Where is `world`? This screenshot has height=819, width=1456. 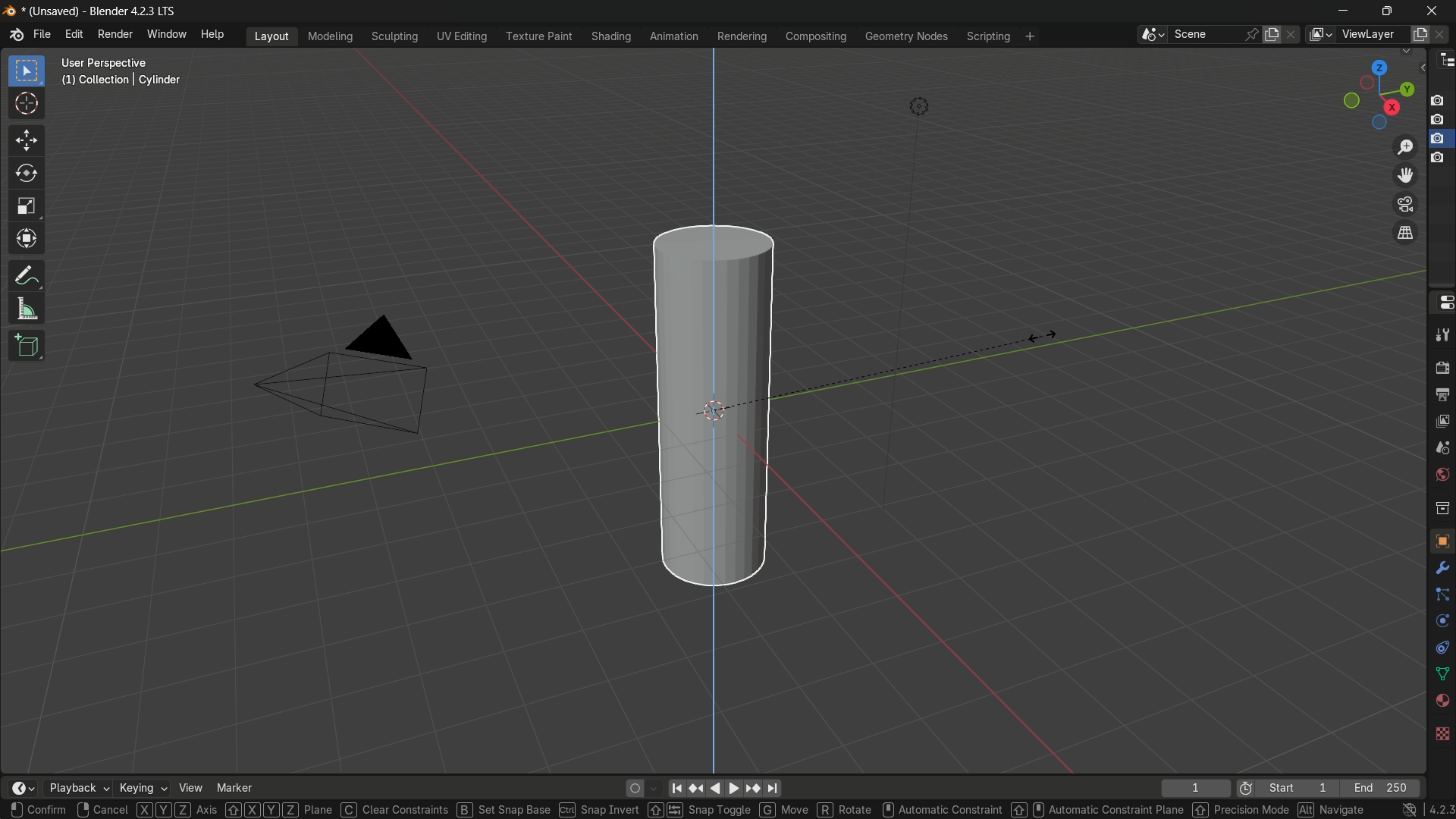 world is located at coordinates (1442, 475).